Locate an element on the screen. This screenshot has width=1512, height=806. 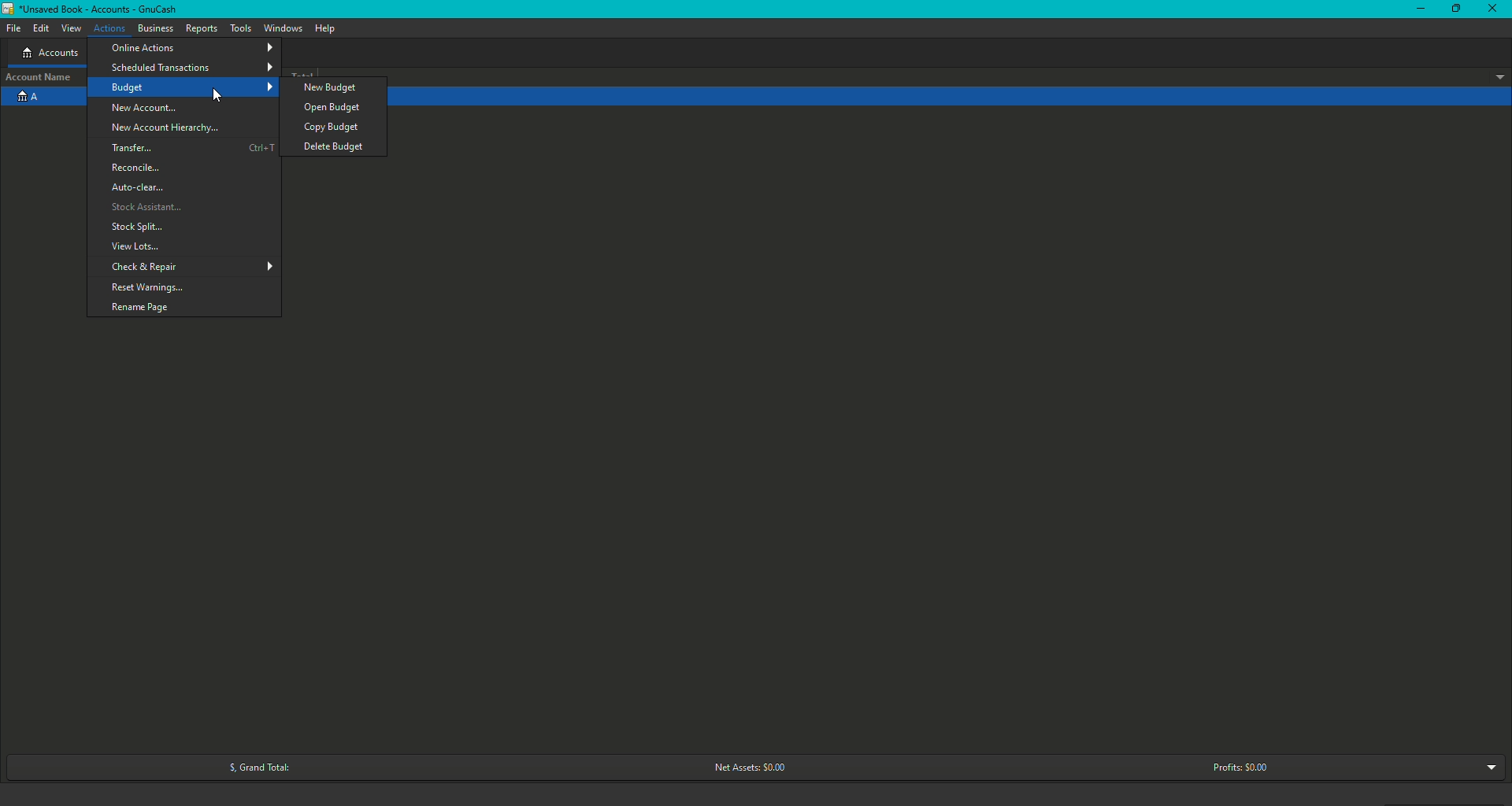
Rename page is located at coordinates (141, 309).